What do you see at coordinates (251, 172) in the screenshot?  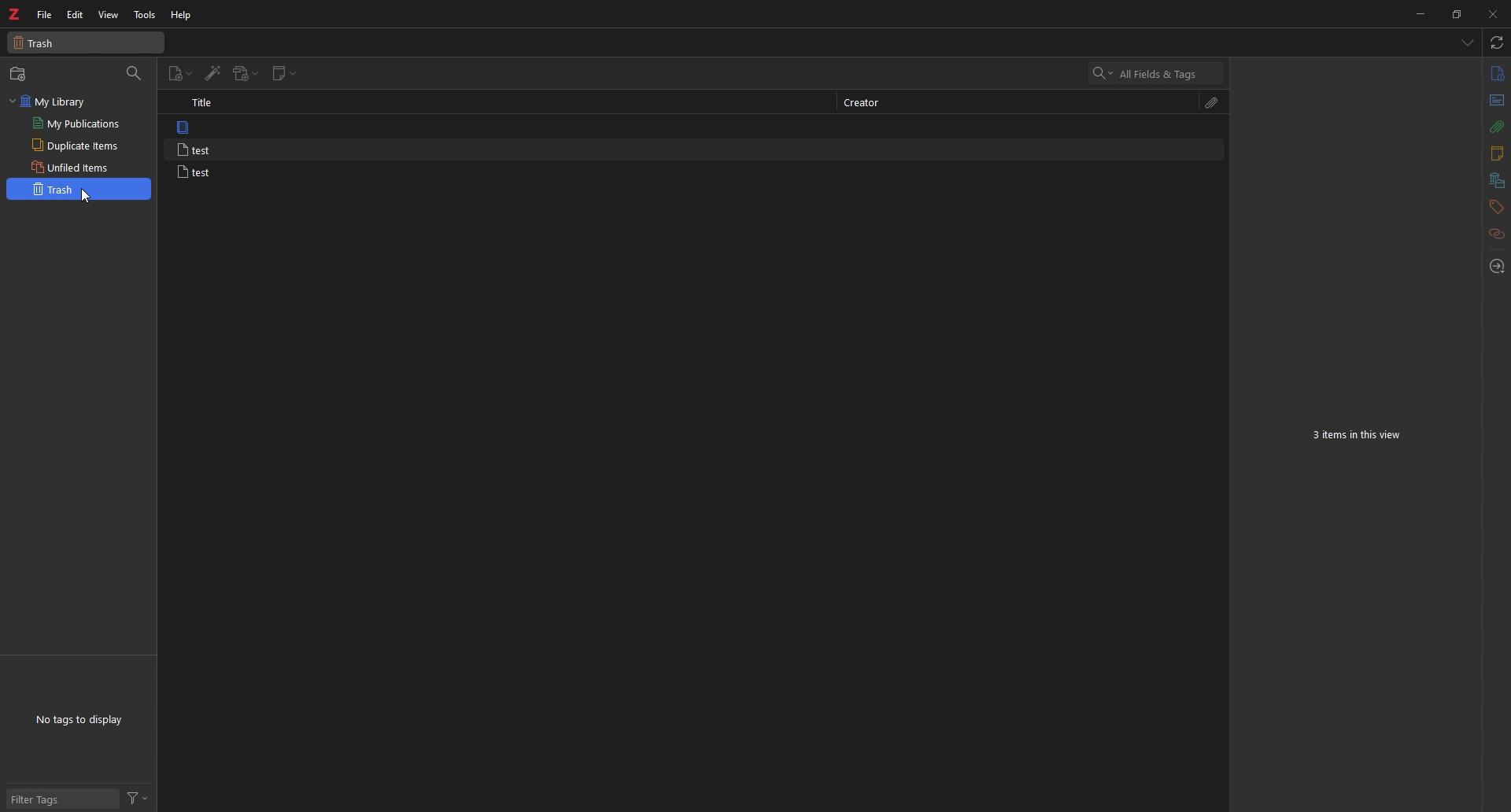 I see `note` at bounding box center [251, 172].